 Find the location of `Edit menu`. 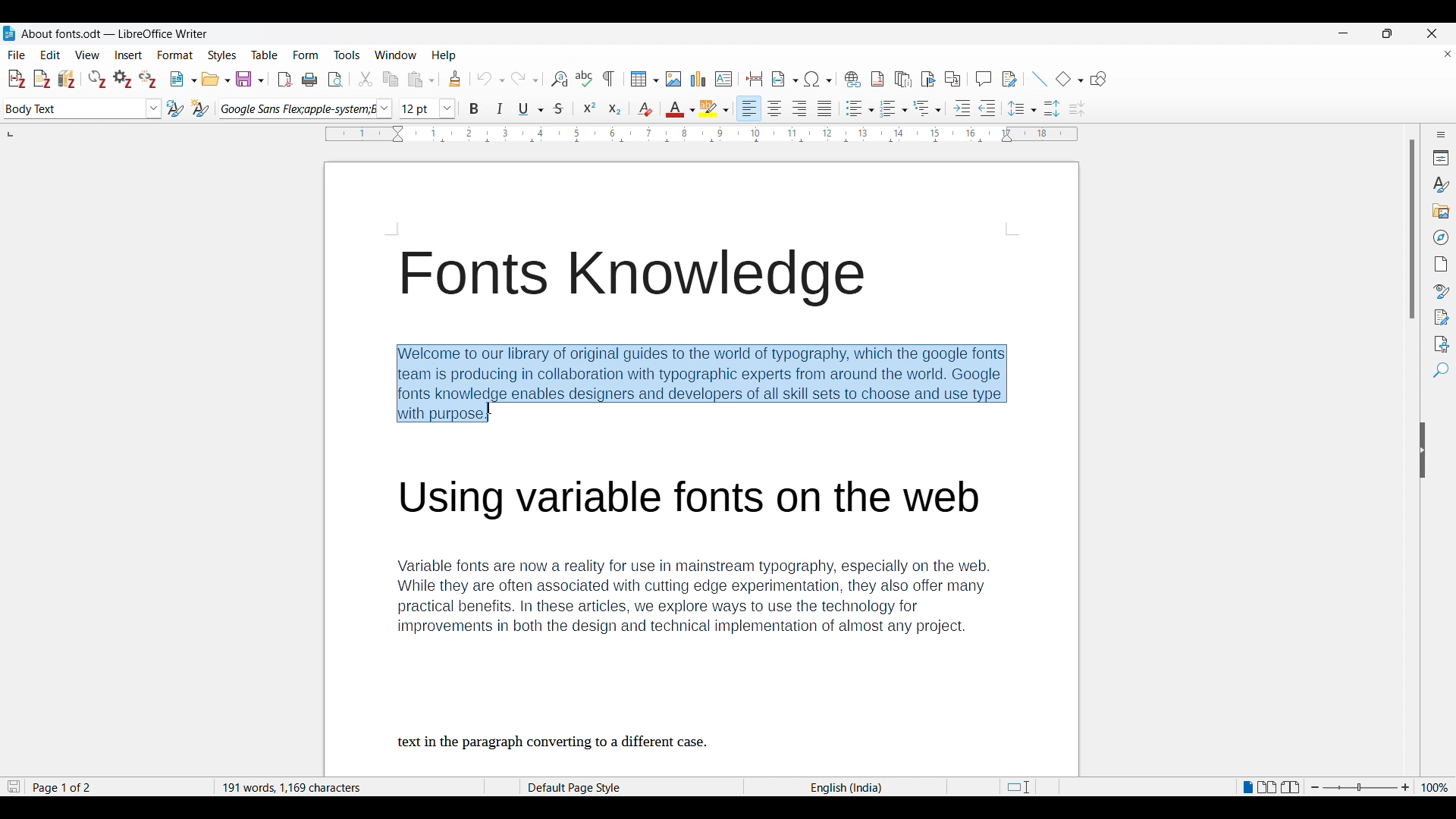

Edit menu is located at coordinates (50, 55).